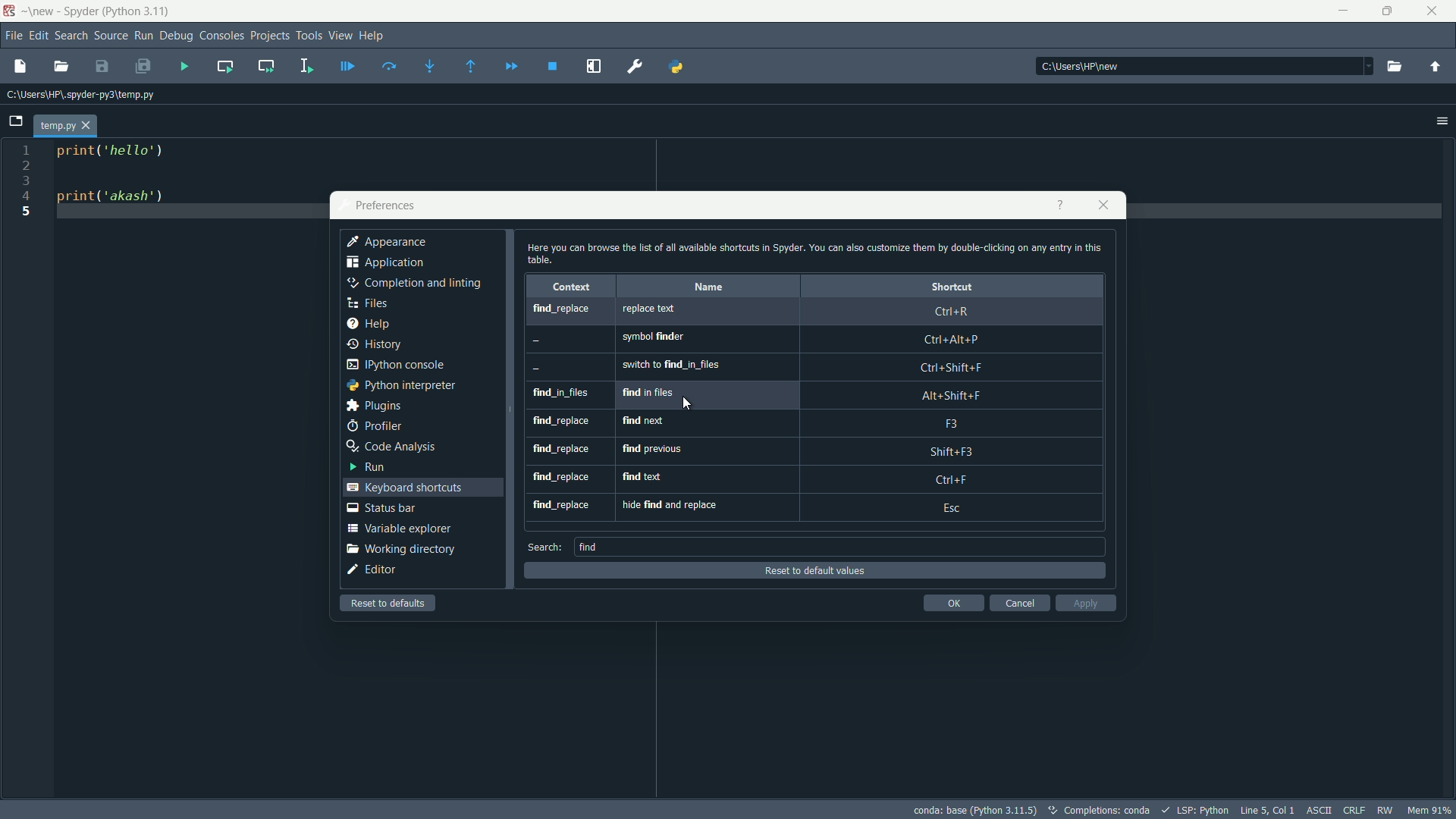  Describe the element at coordinates (378, 33) in the screenshot. I see `help menu ` at that location.